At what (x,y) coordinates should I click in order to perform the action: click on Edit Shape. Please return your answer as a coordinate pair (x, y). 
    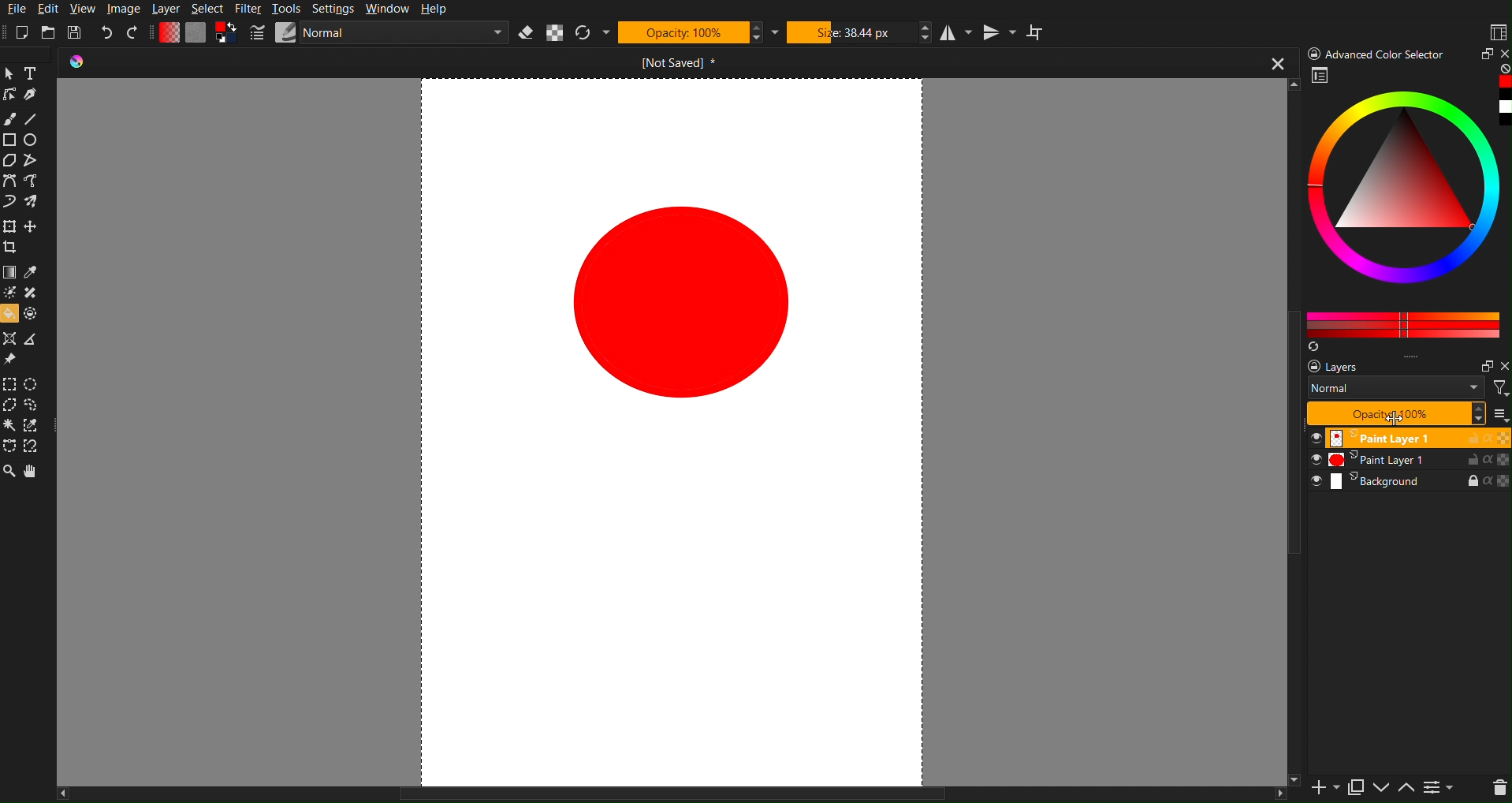
    Looking at the image, I should click on (9, 95).